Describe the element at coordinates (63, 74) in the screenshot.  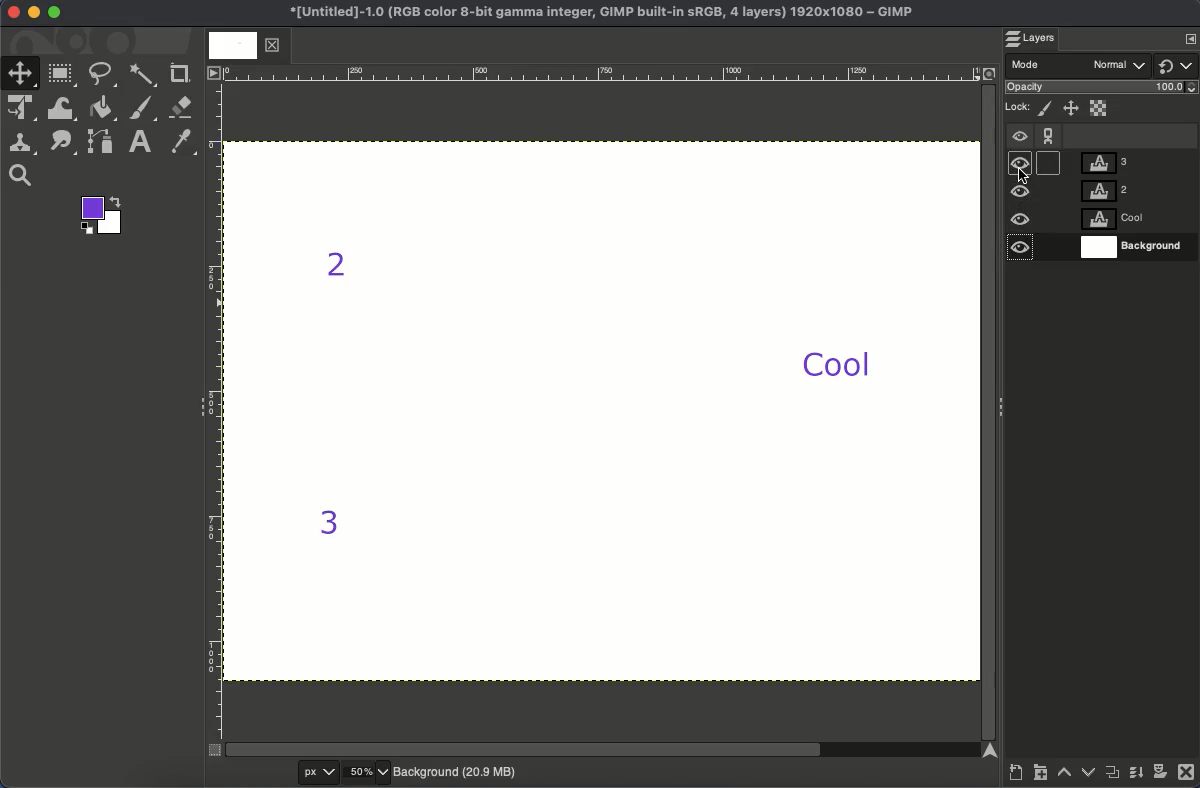
I see `Rectangular select` at that location.